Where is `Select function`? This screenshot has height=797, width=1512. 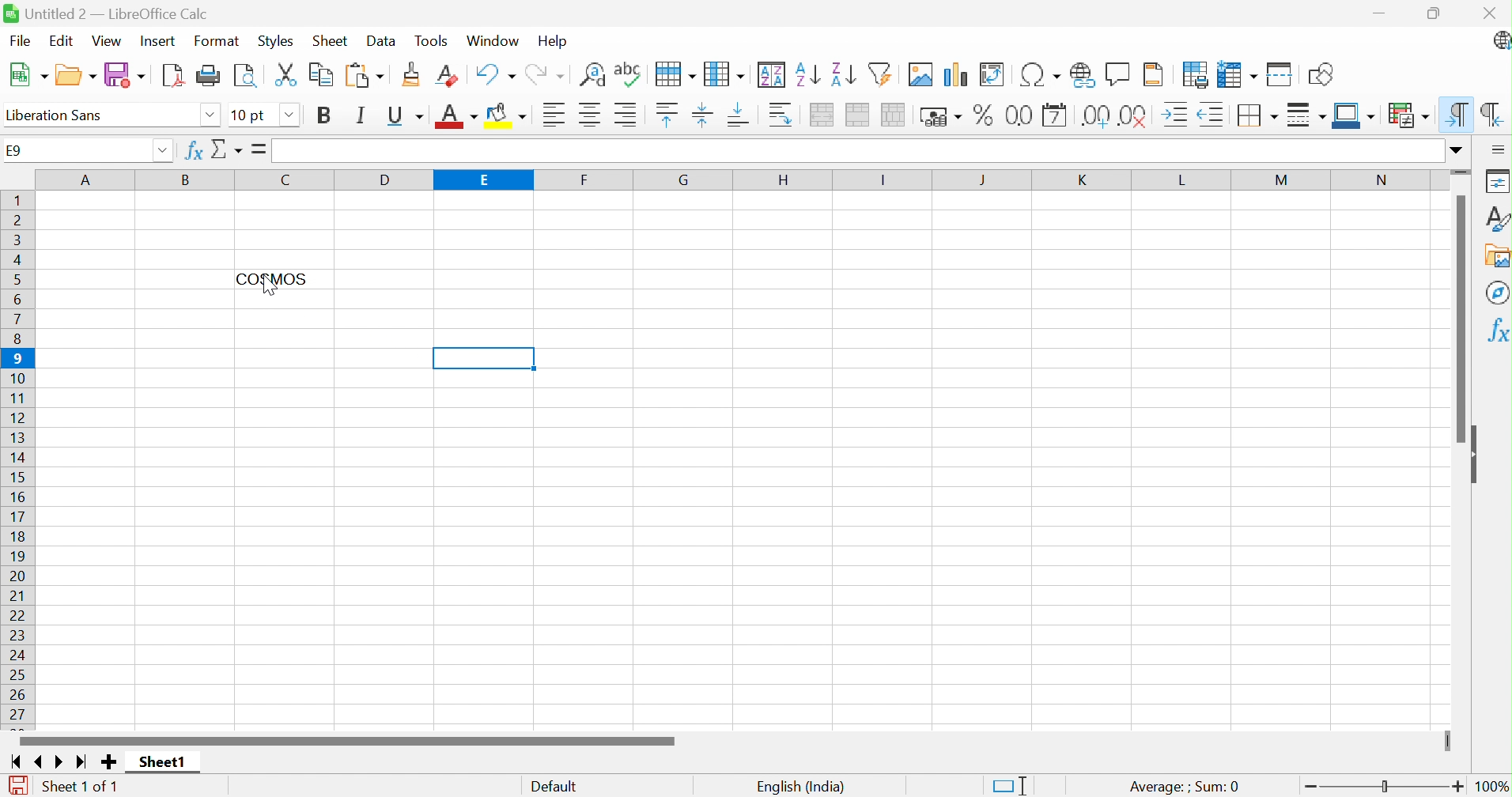
Select function is located at coordinates (227, 152).